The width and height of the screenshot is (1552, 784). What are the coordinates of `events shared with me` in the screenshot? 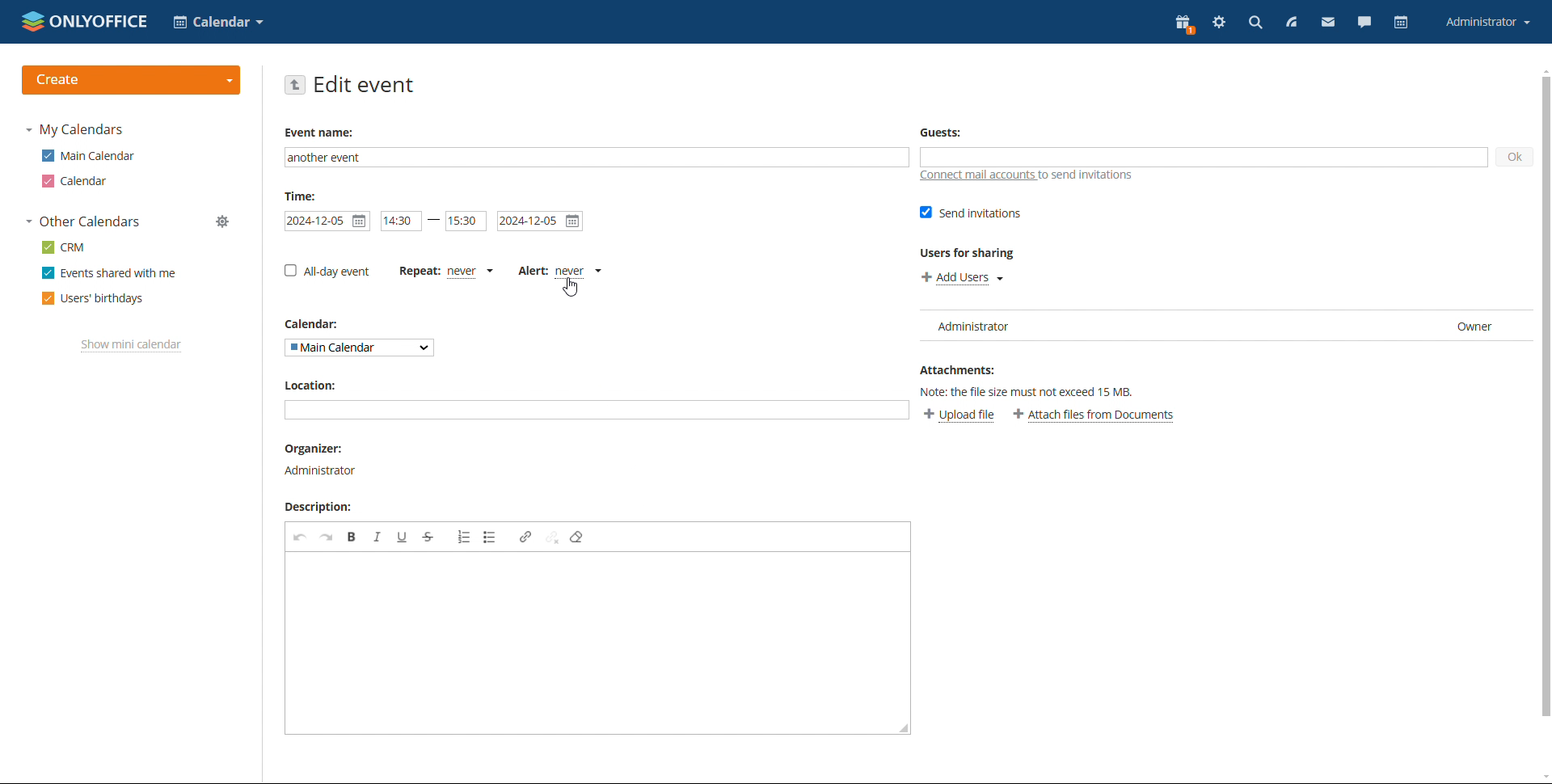 It's located at (109, 273).